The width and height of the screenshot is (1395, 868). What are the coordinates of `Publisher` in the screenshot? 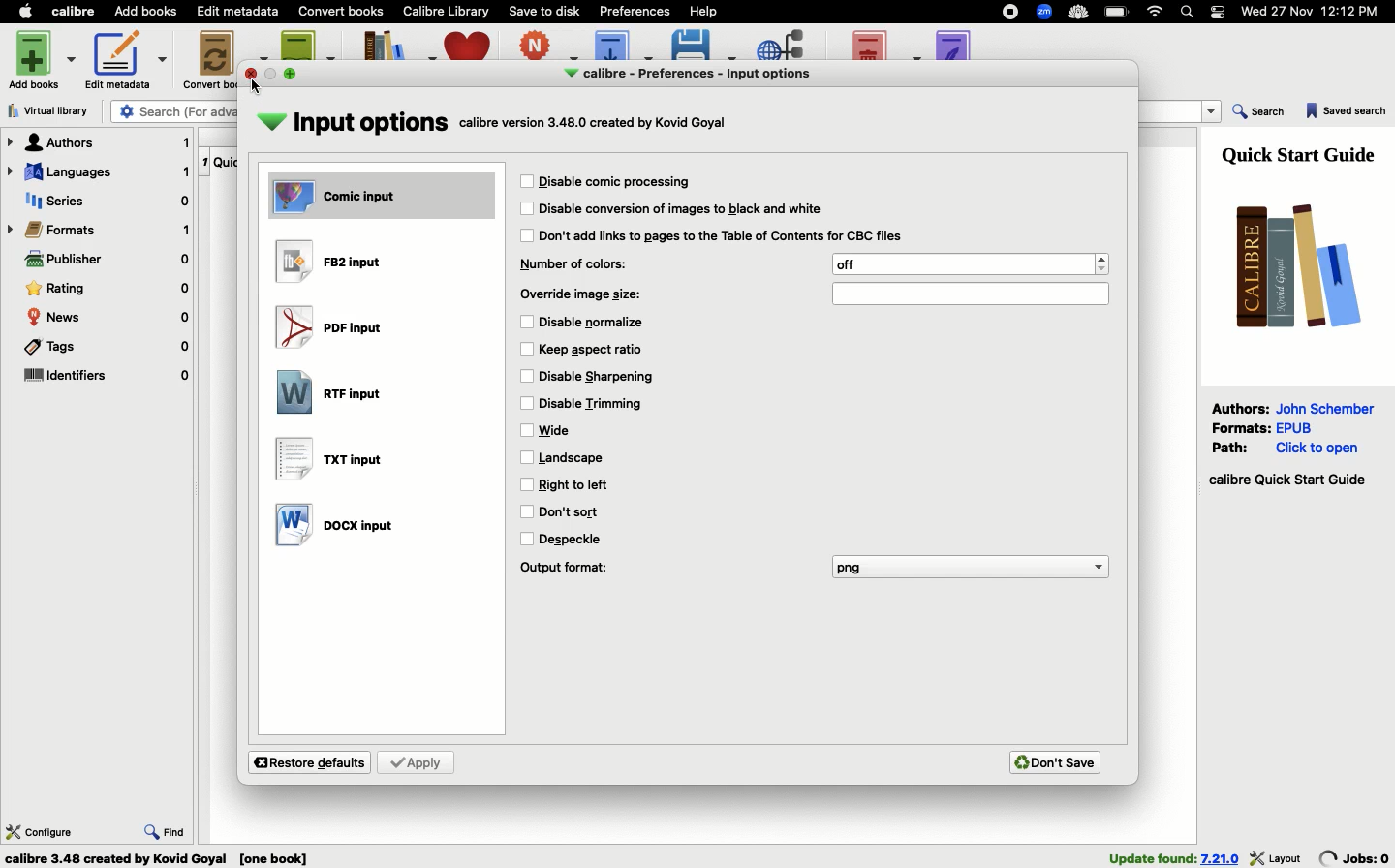 It's located at (107, 262).